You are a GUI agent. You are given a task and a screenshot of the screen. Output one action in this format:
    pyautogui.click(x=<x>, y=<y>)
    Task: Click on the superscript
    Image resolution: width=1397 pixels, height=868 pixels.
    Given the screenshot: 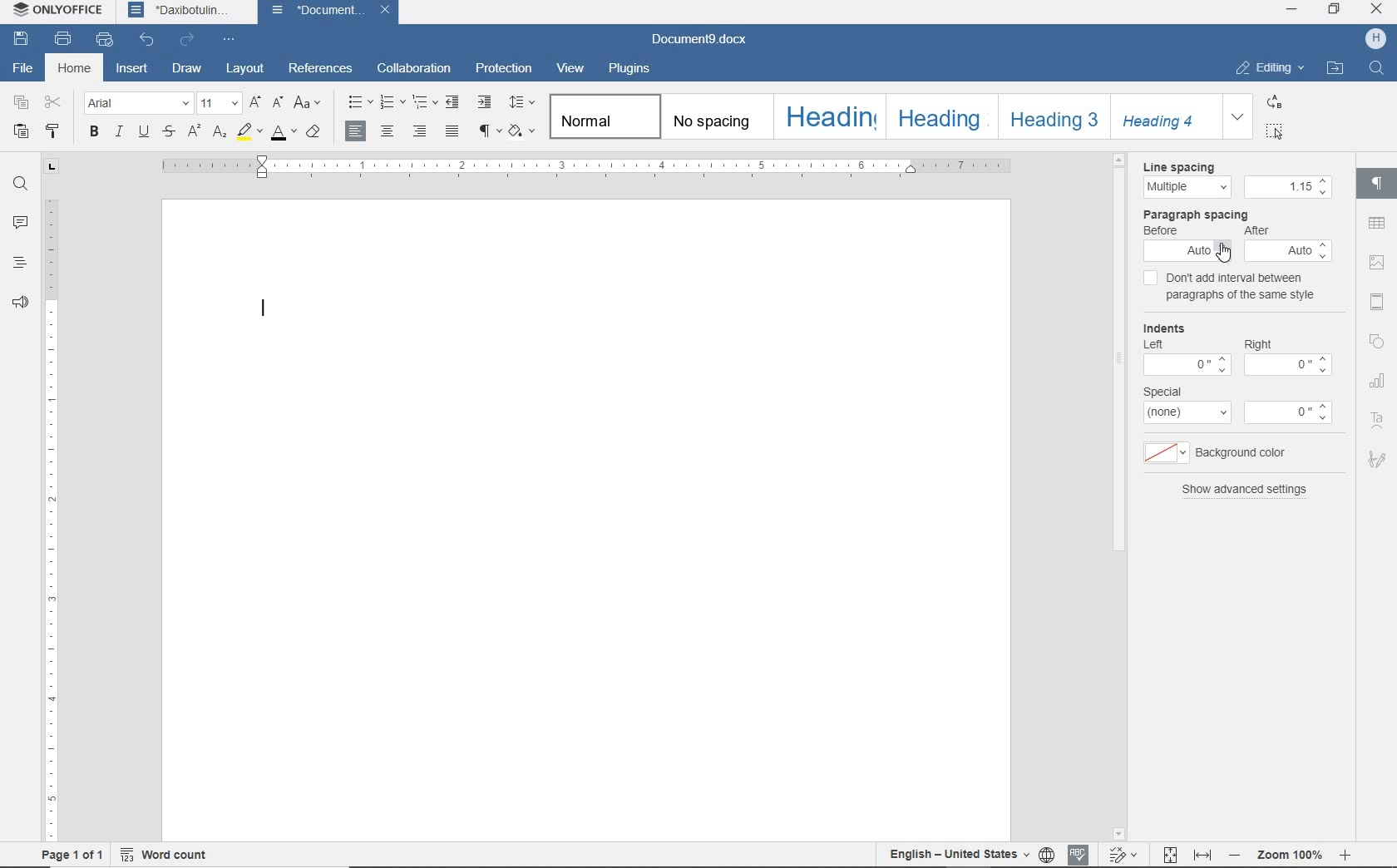 What is the action you would take?
    pyautogui.click(x=195, y=133)
    